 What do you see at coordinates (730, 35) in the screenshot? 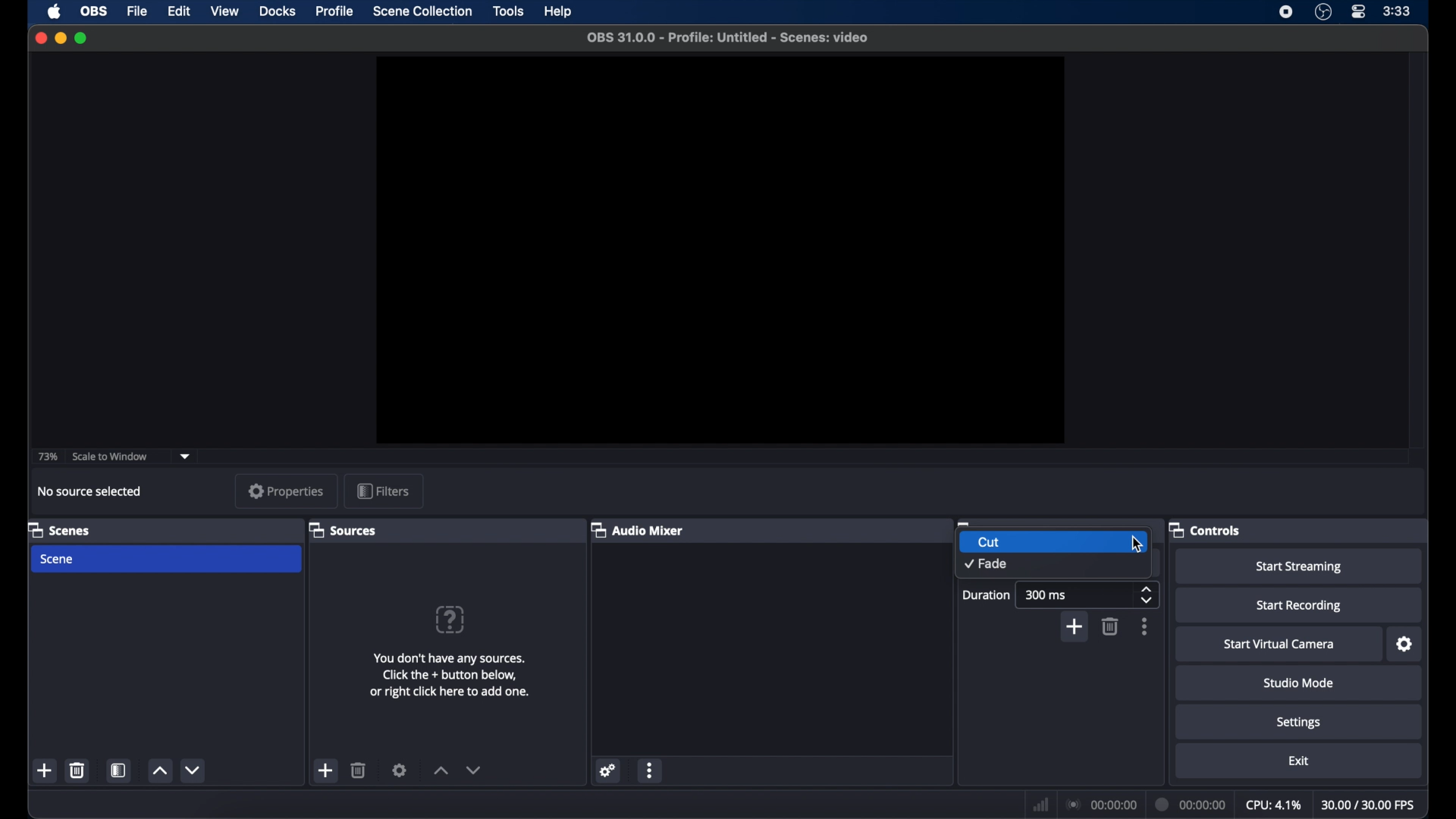
I see `OBS 31.0.0 - Profile: Untitiea - Scenes: video` at bounding box center [730, 35].